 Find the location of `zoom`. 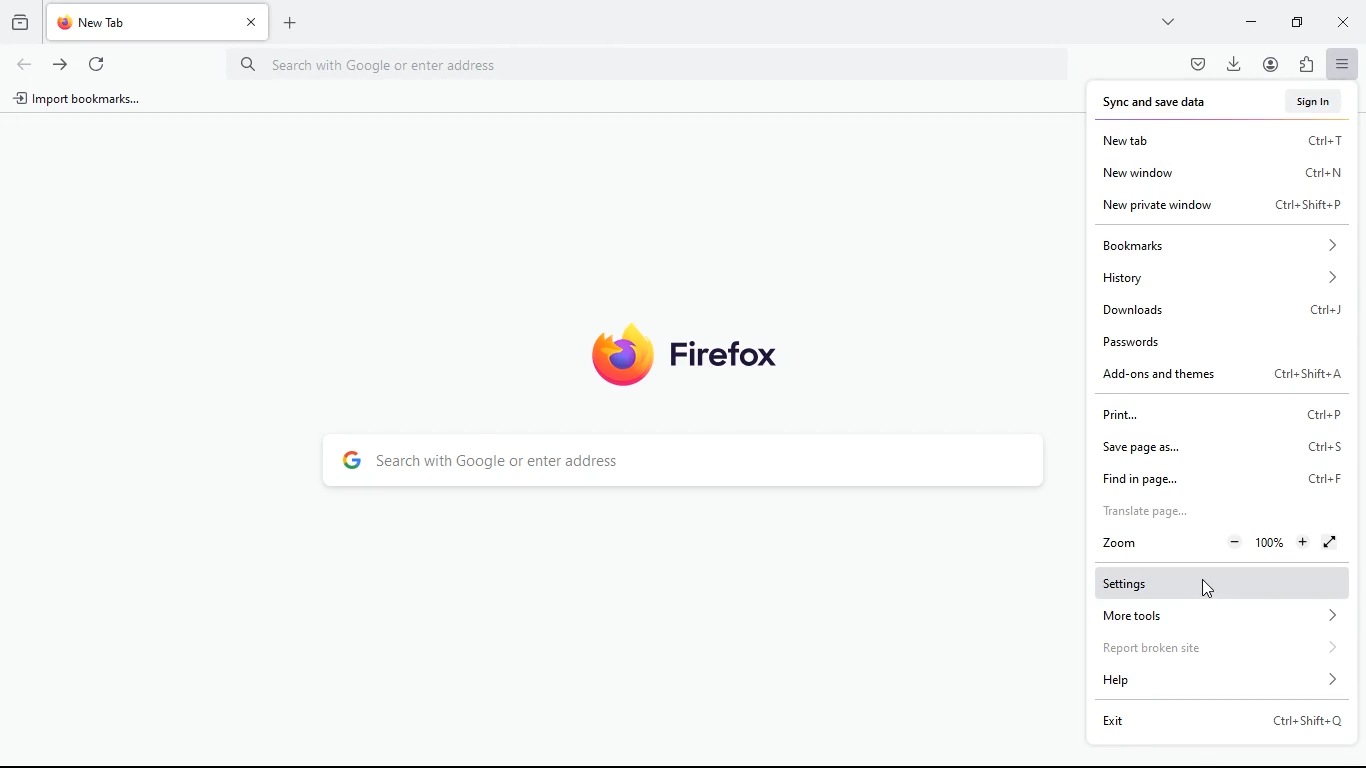

zoom is located at coordinates (1223, 544).